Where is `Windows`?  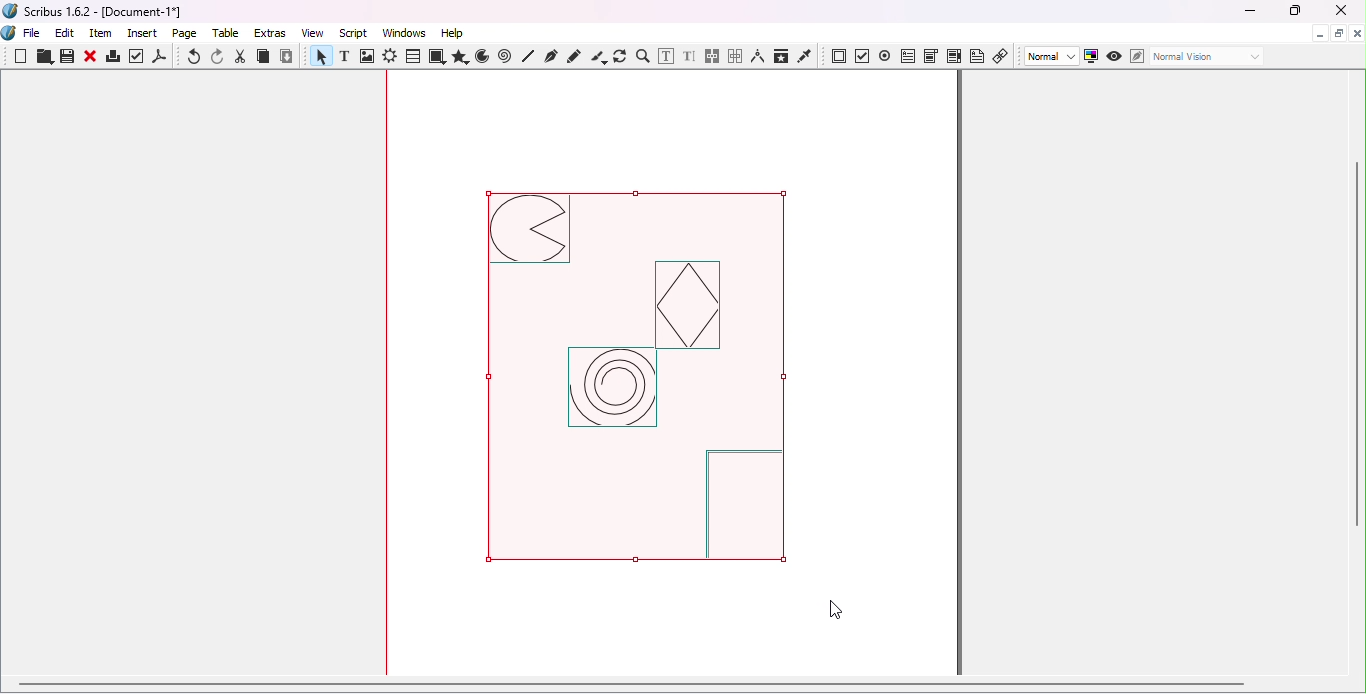 Windows is located at coordinates (404, 33).